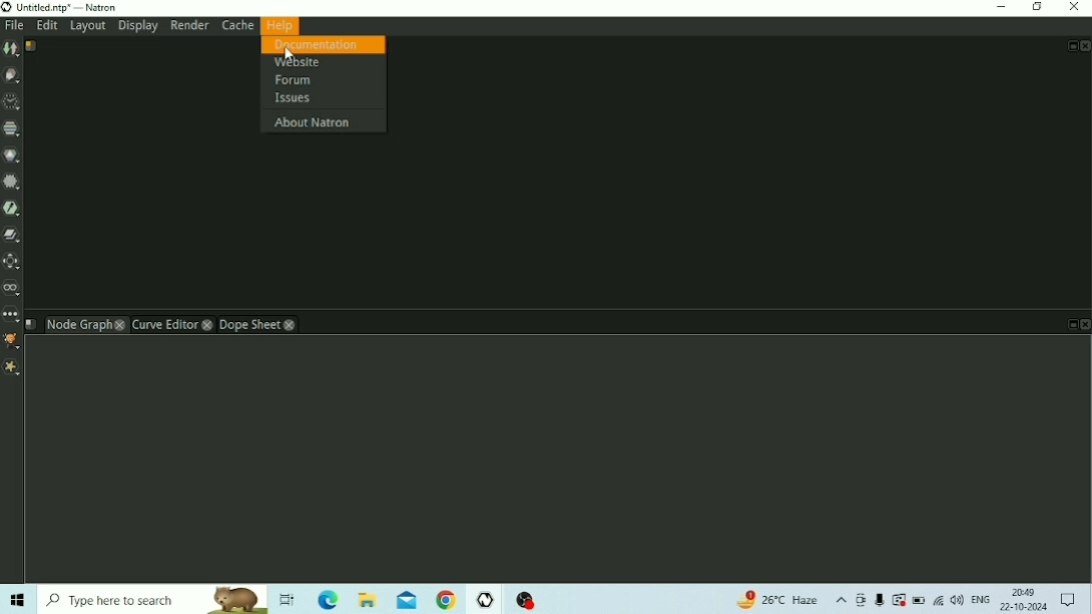  I want to click on Merge, so click(12, 235).